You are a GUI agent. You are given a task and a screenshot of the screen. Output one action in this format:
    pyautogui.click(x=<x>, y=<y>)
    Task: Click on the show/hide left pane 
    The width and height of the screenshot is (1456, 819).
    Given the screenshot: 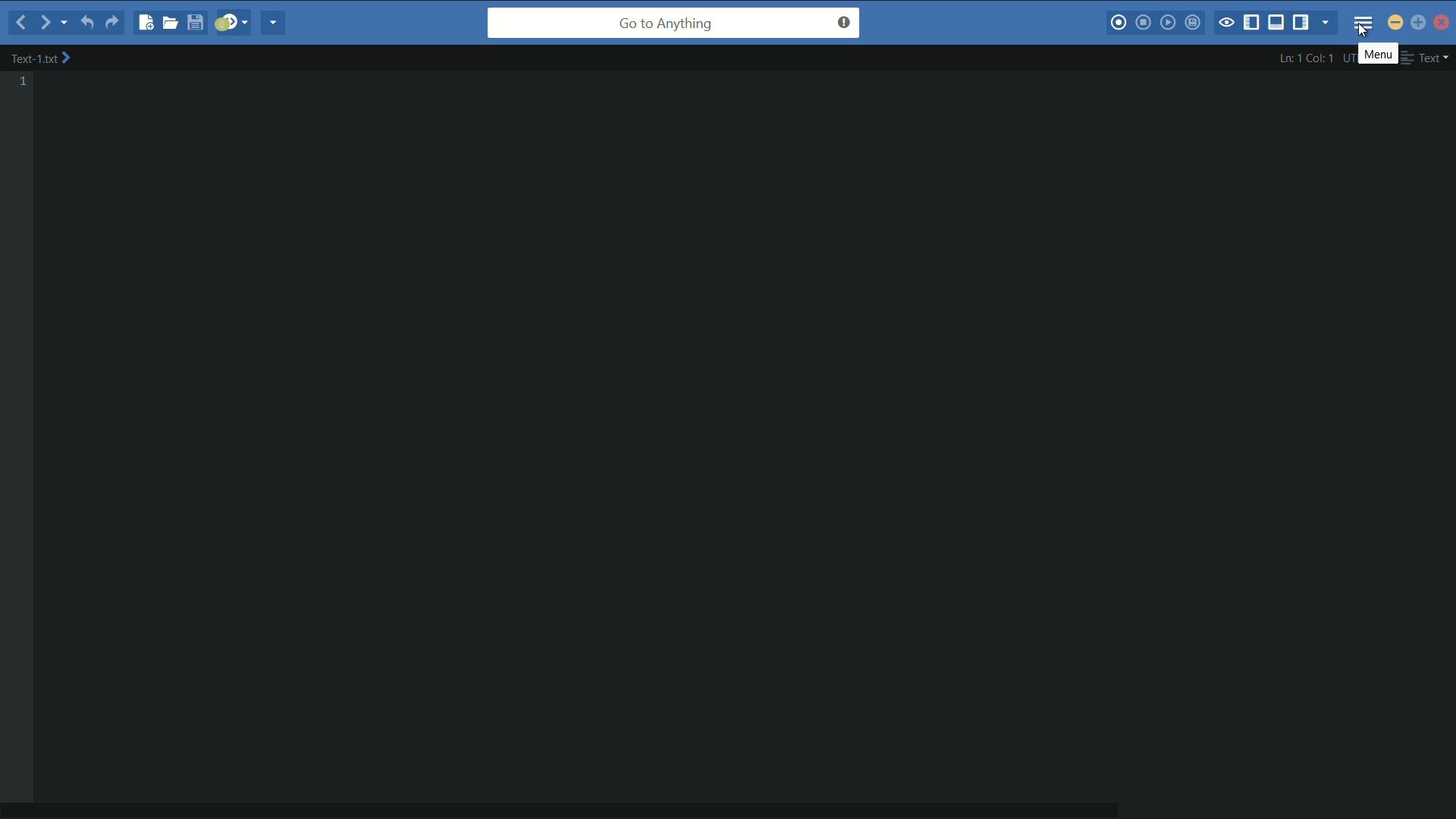 What is the action you would take?
    pyautogui.click(x=1252, y=21)
    